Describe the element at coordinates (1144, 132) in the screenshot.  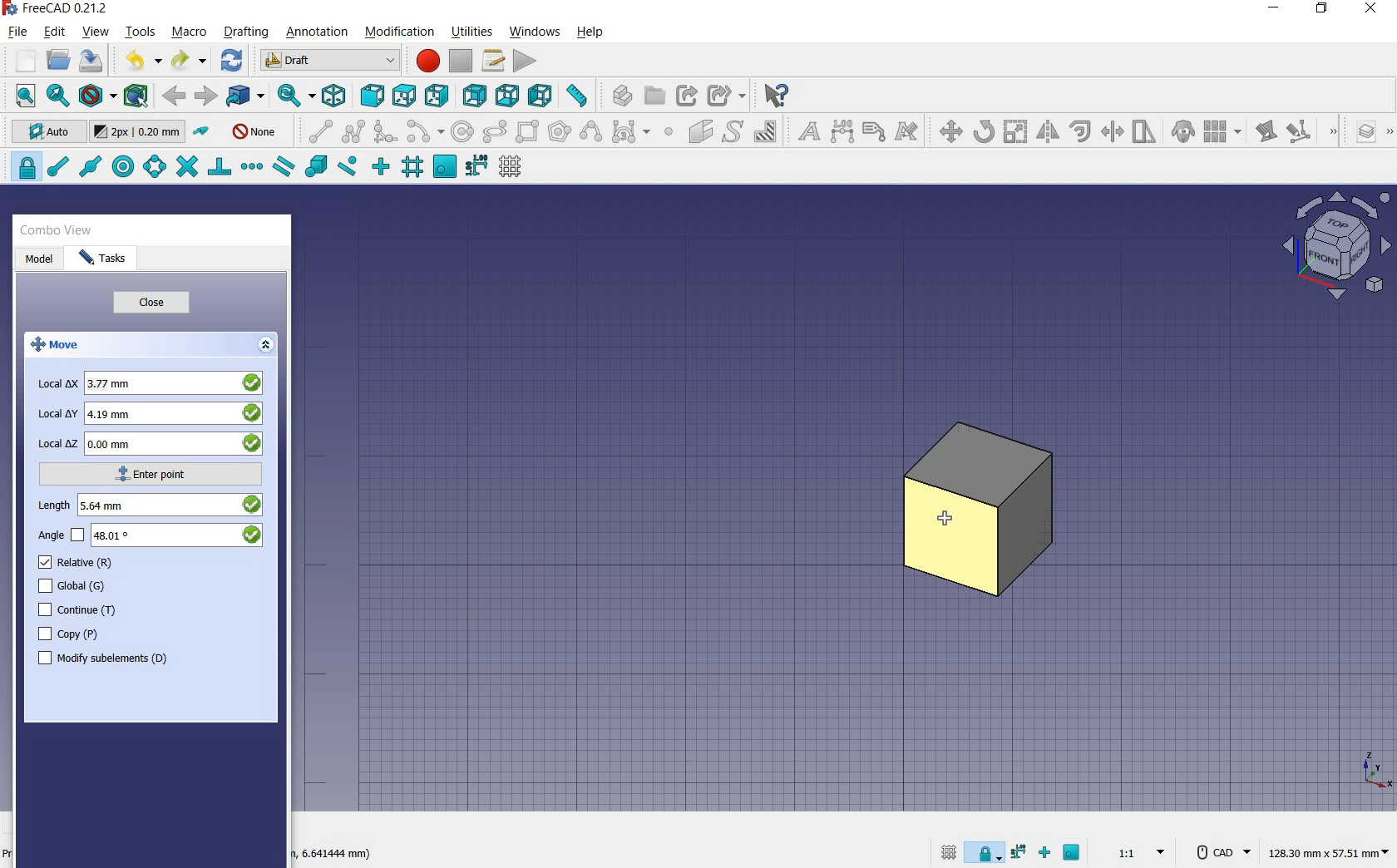
I see `stretch` at that location.